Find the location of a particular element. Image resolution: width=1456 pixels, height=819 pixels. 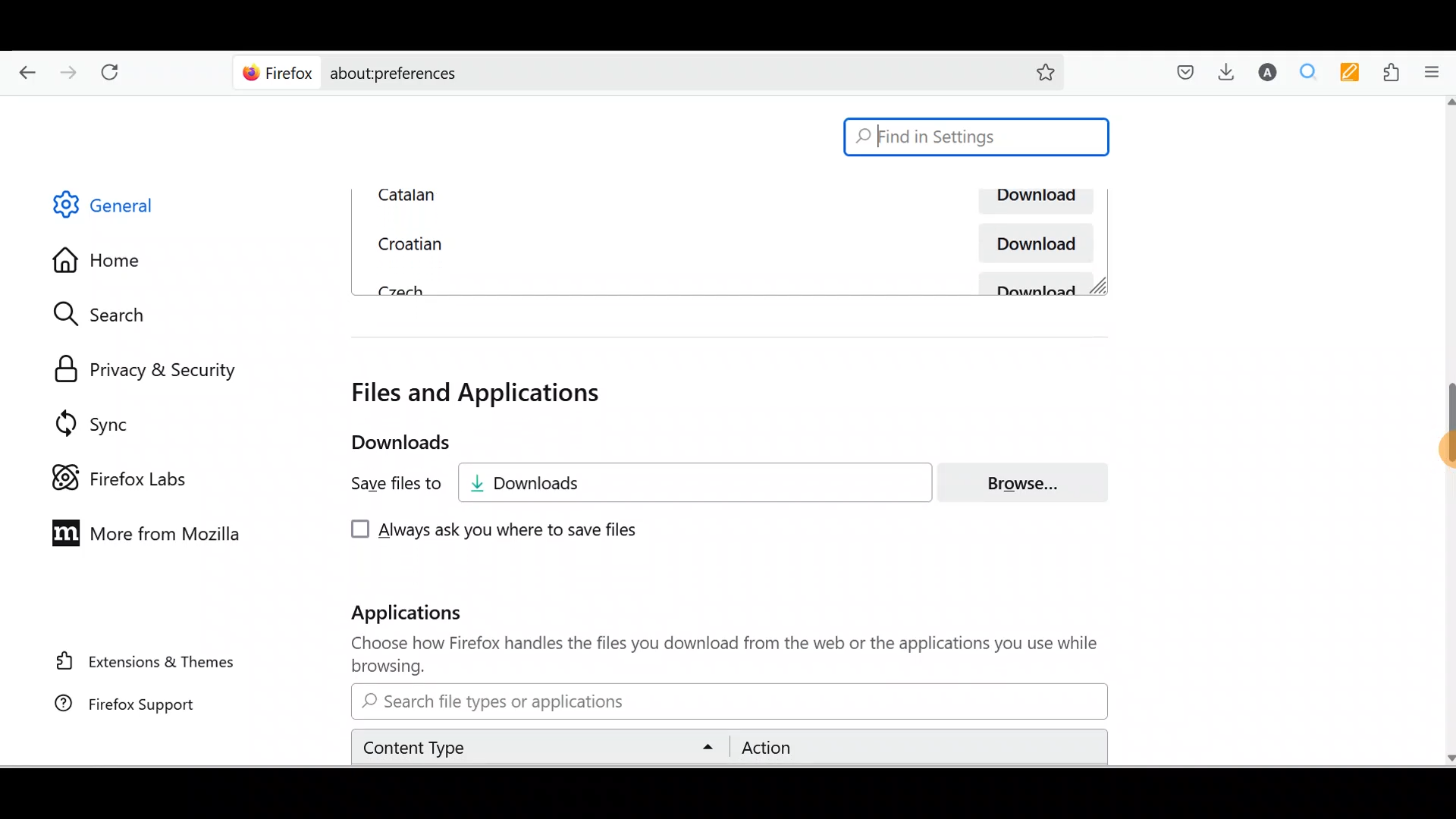

Downloads is located at coordinates (706, 482).